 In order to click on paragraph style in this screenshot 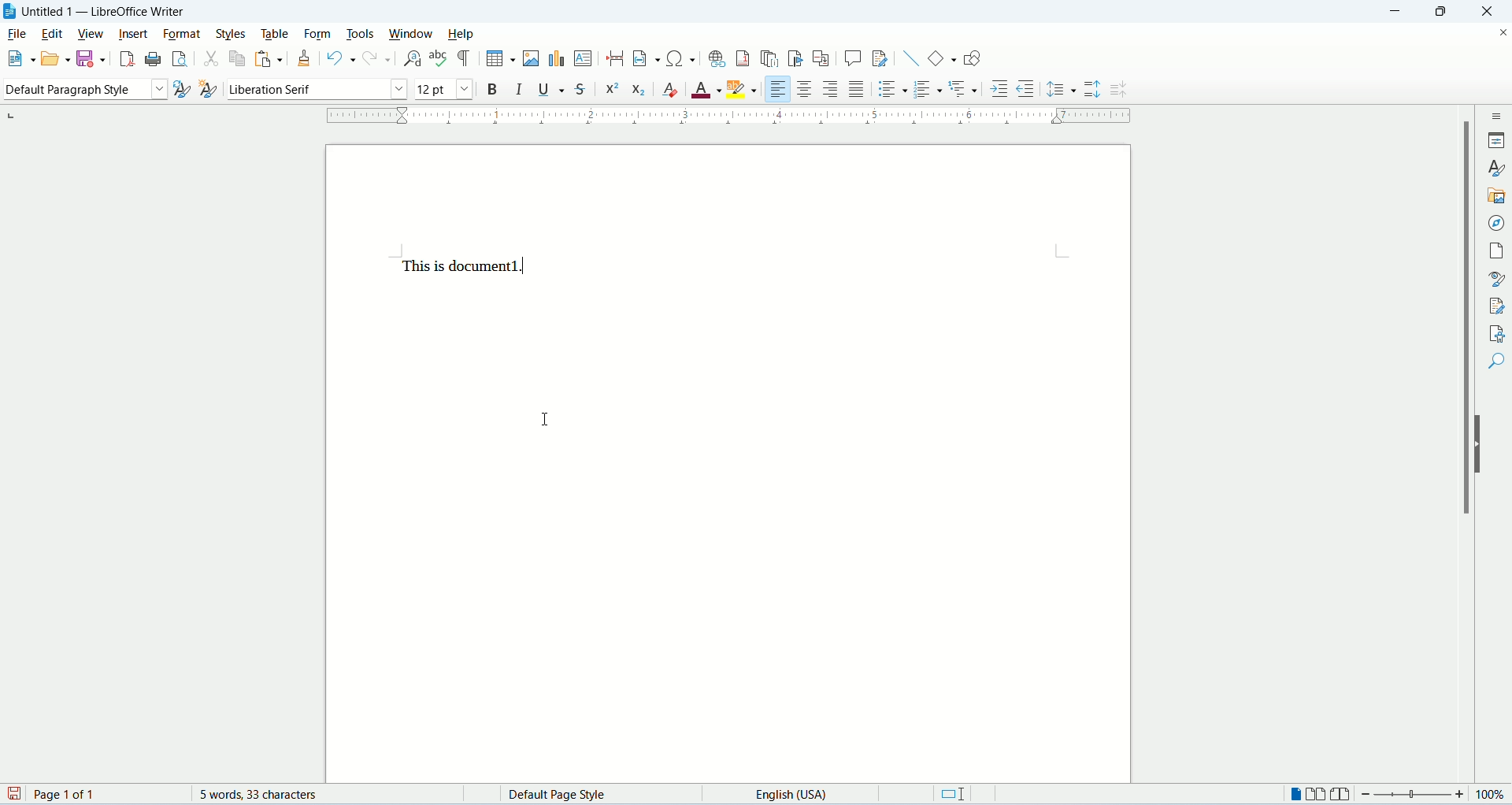, I will do `click(83, 91)`.